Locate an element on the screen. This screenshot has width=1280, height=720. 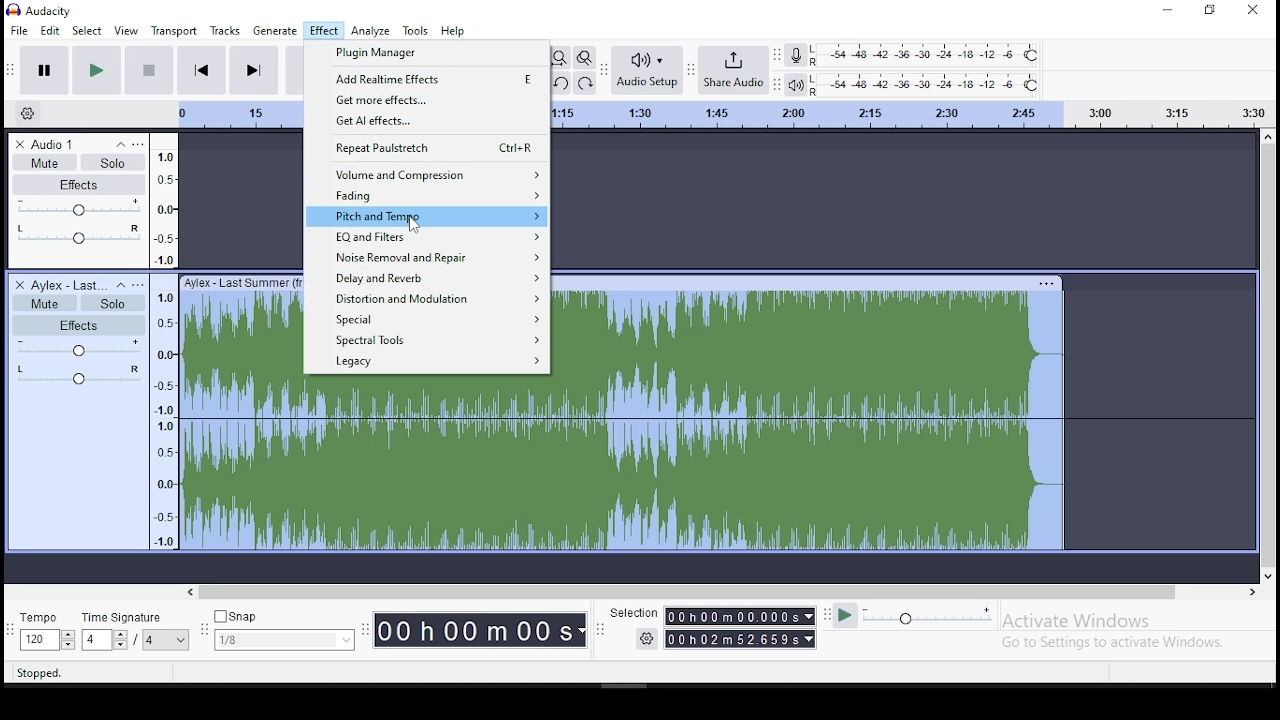
pitch and tempo is located at coordinates (428, 216).